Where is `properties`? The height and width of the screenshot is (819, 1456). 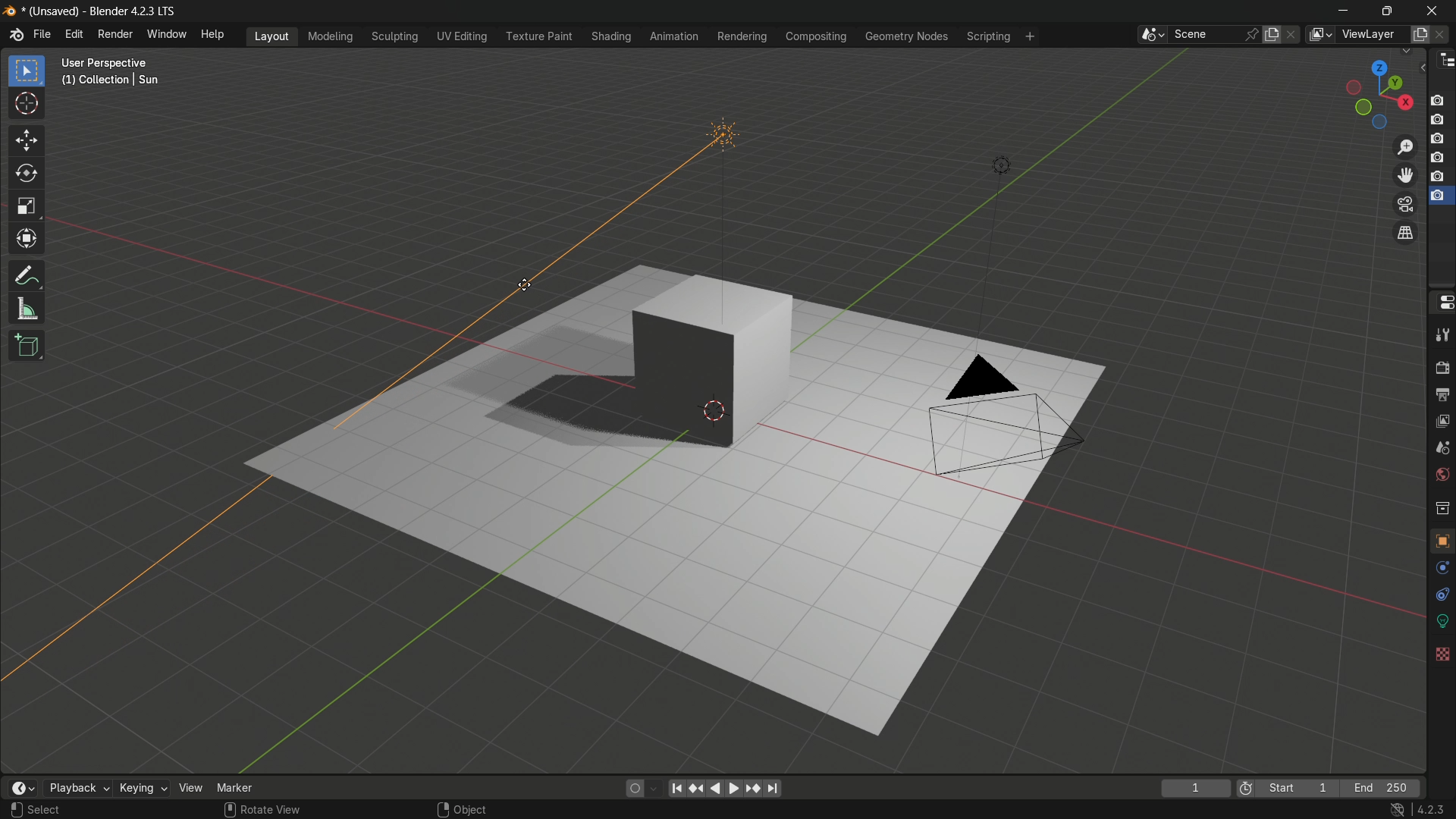
properties is located at coordinates (1442, 306).